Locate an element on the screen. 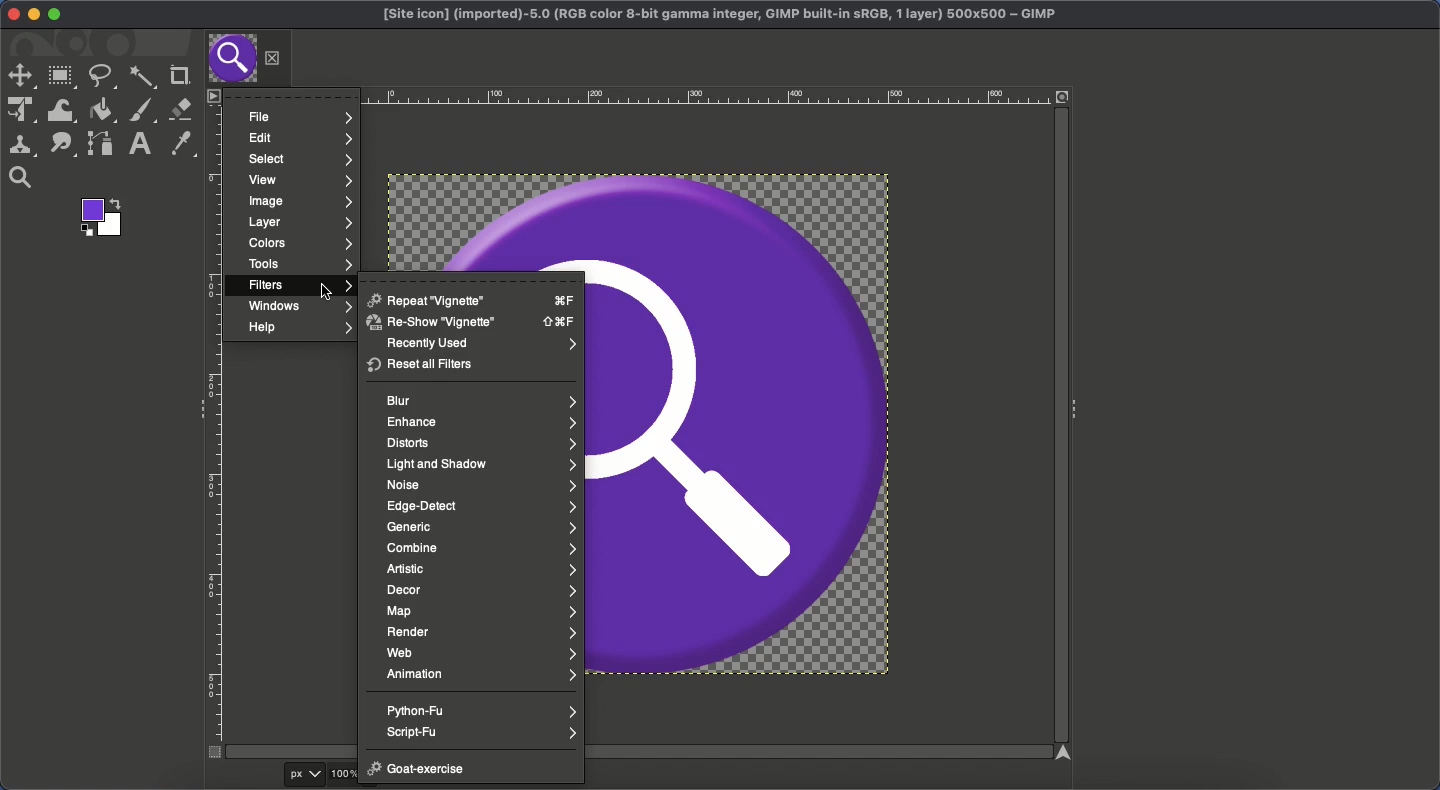 This screenshot has width=1440, height=790. Light and shadow is located at coordinates (481, 466).